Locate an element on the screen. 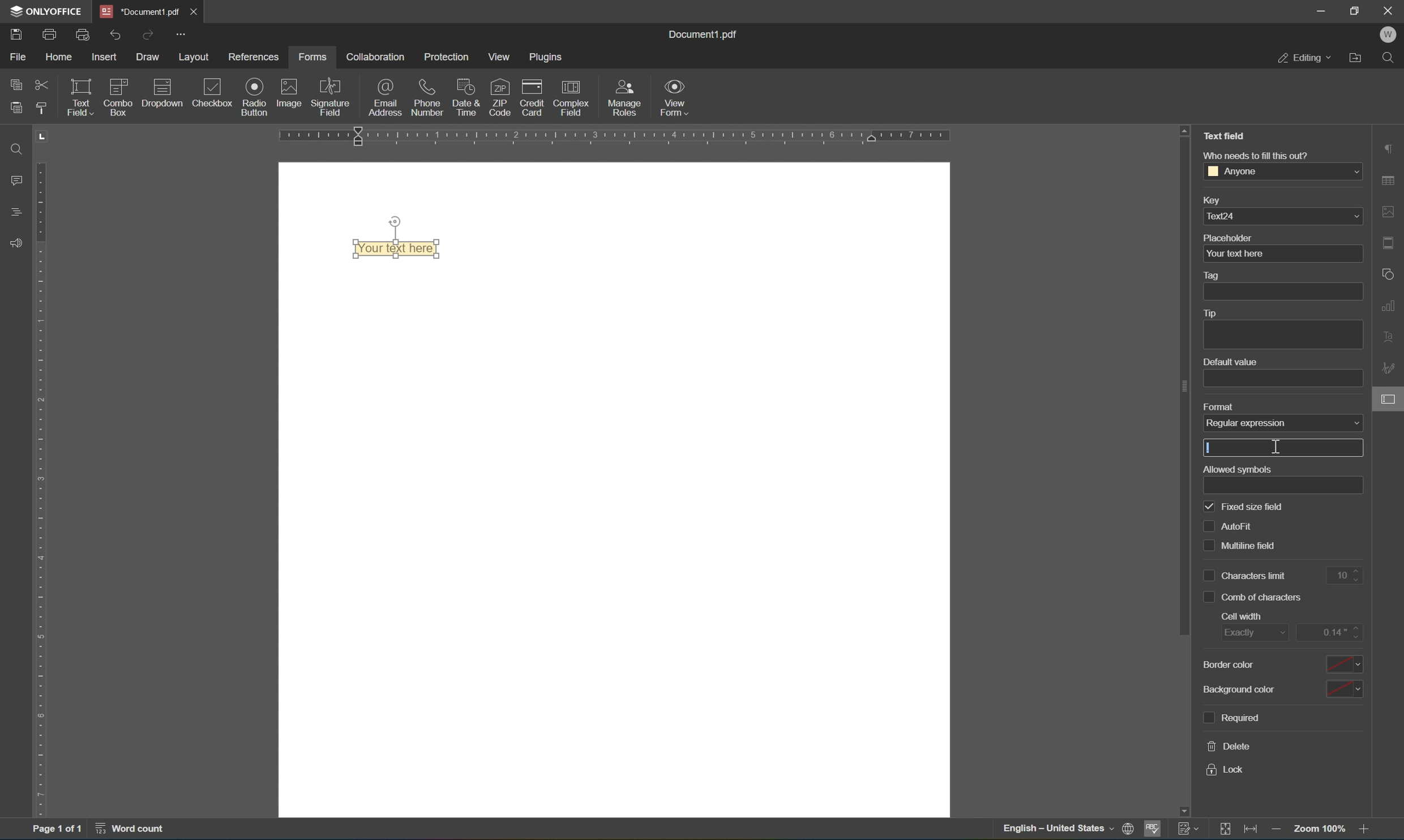 This screenshot has height=840, width=1404. forms is located at coordinates (312, 57).